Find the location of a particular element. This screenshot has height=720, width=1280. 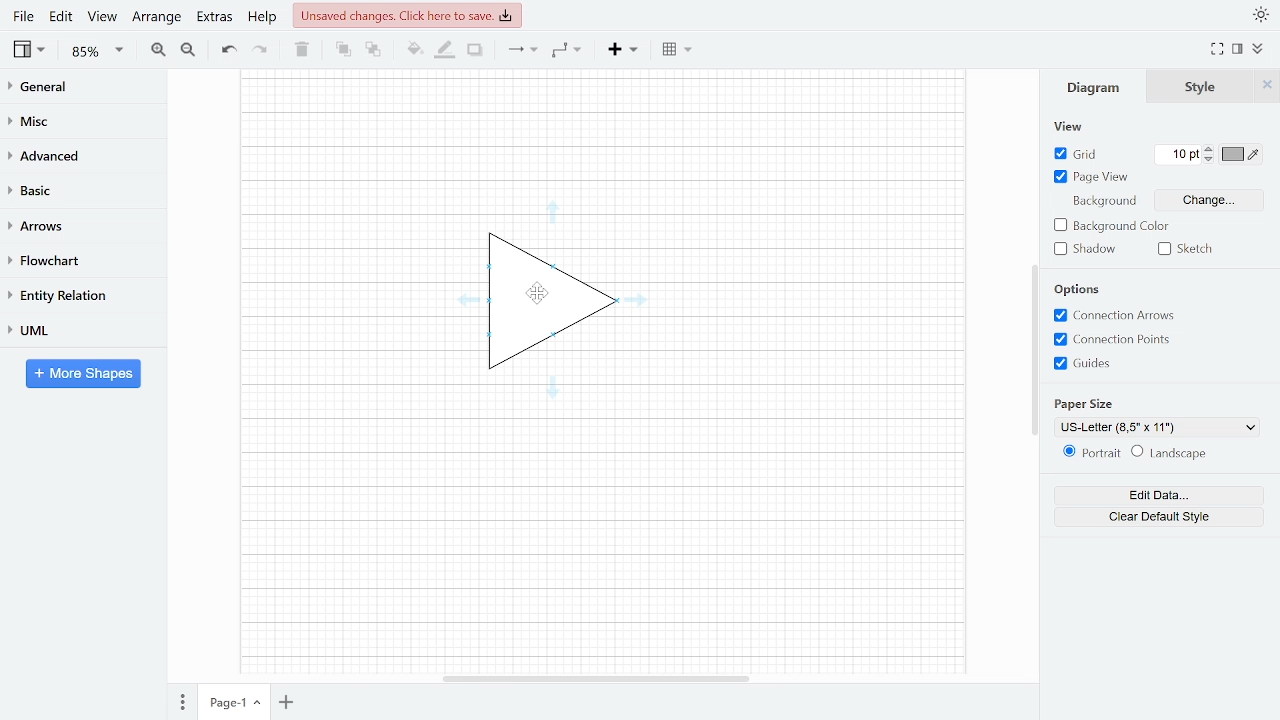

basic is located at coordinates (76, 189).